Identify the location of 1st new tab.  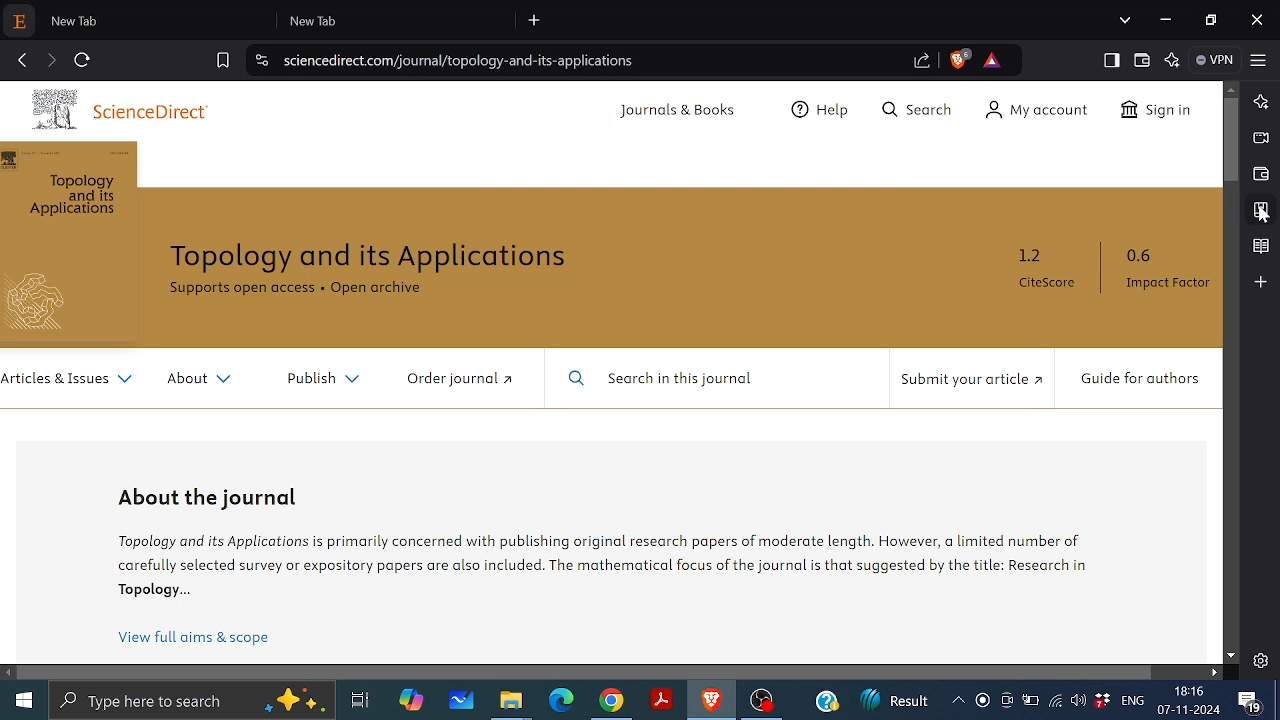
(160, 20).